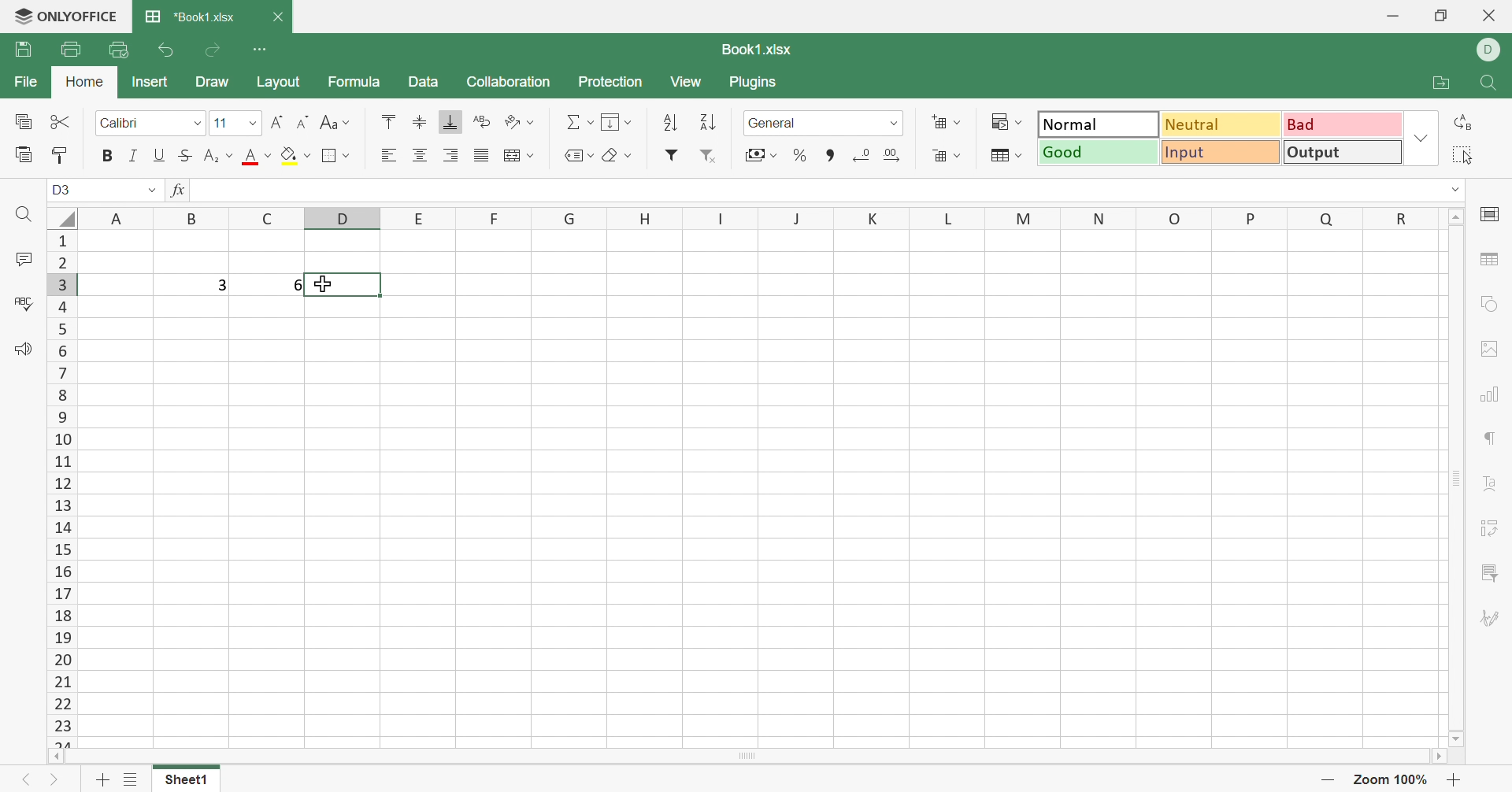 The width and height of the screenshot is (1512, 792). What do you see at coordinates (610, 82) in the screenshot?
I see `Protection` at bounding box center [610, 82].